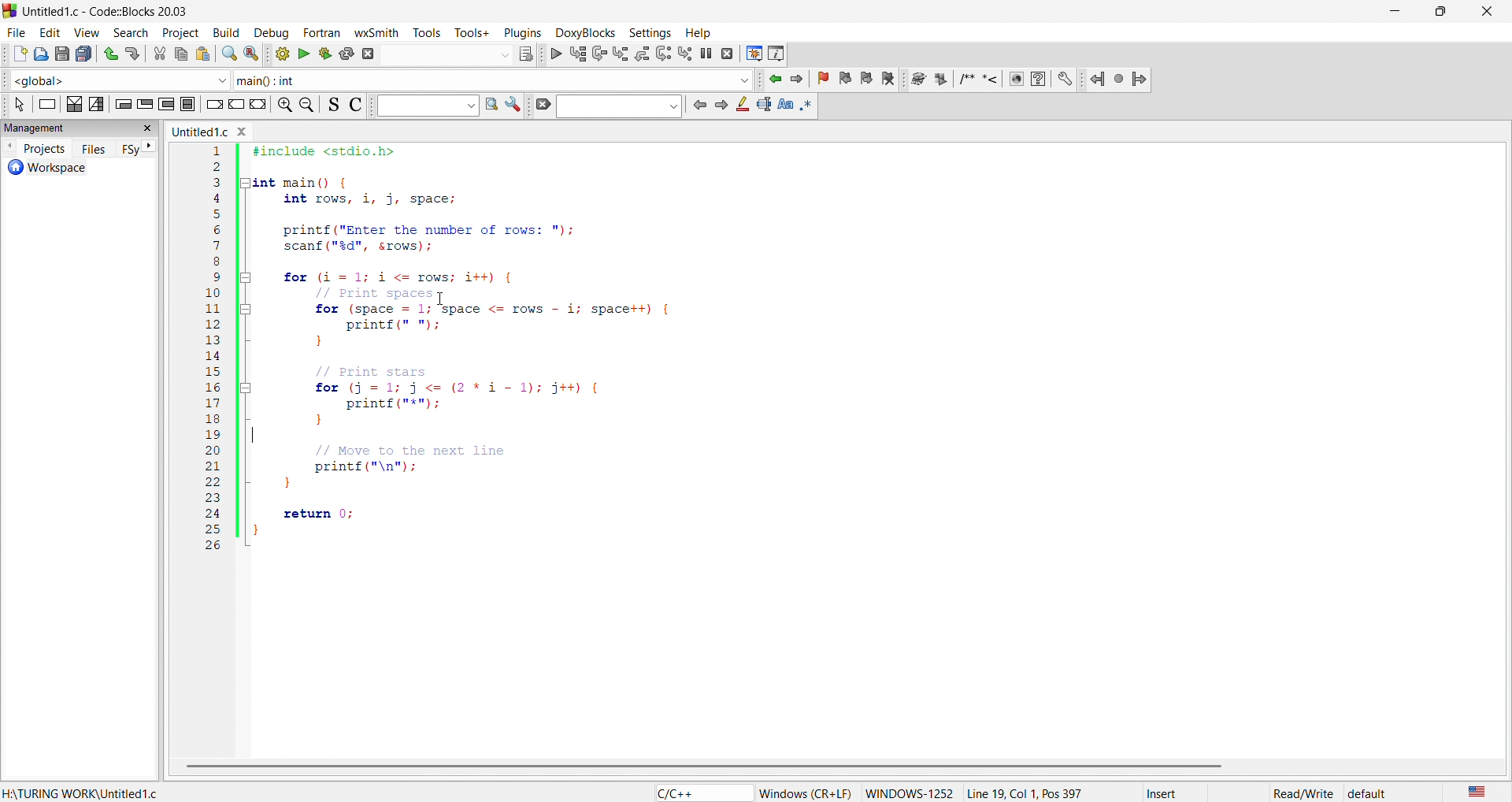 The height and width of the screenshot is (802, 1512). I want to click on previous bookmark, so click(847, 76).